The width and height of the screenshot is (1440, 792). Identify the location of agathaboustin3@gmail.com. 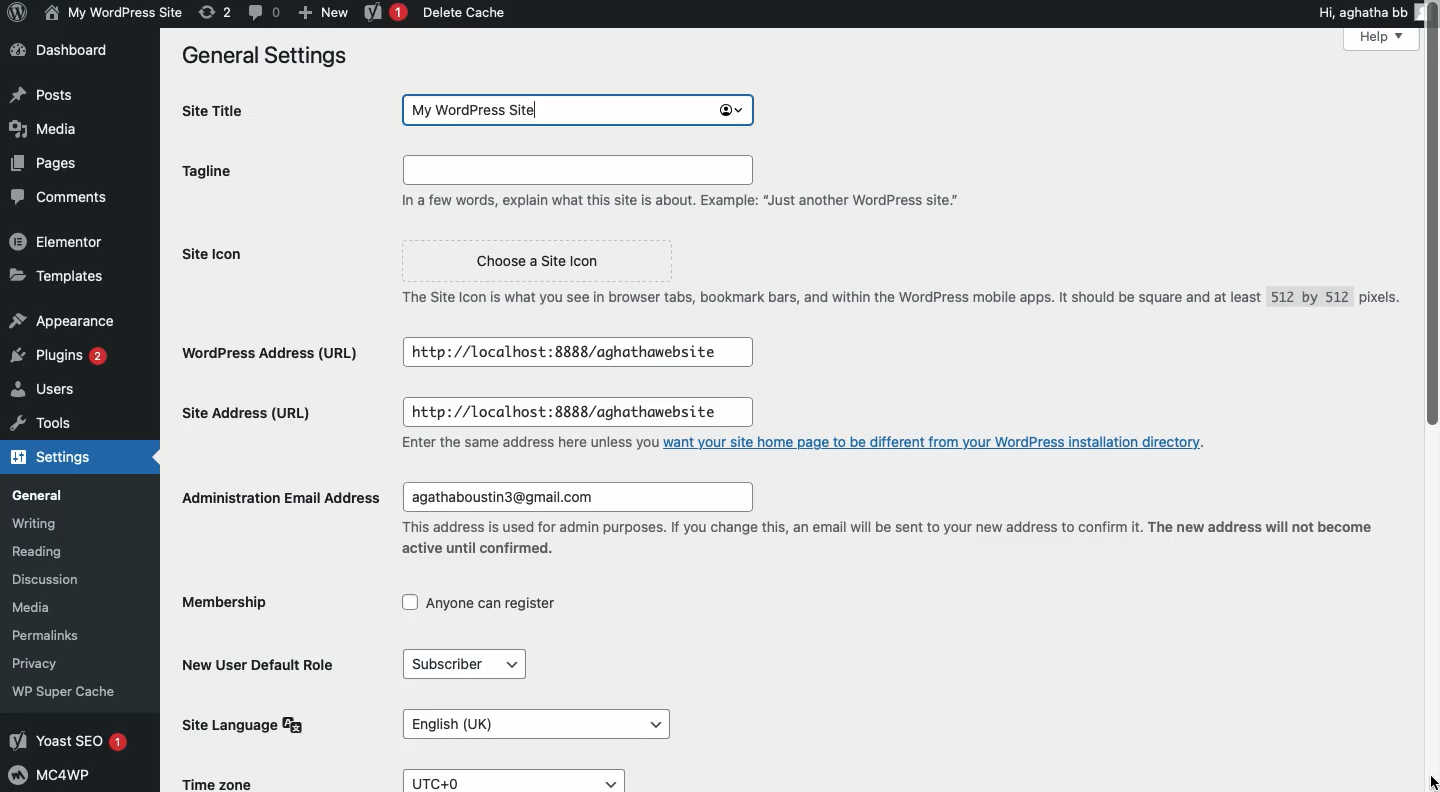
(580, 499).